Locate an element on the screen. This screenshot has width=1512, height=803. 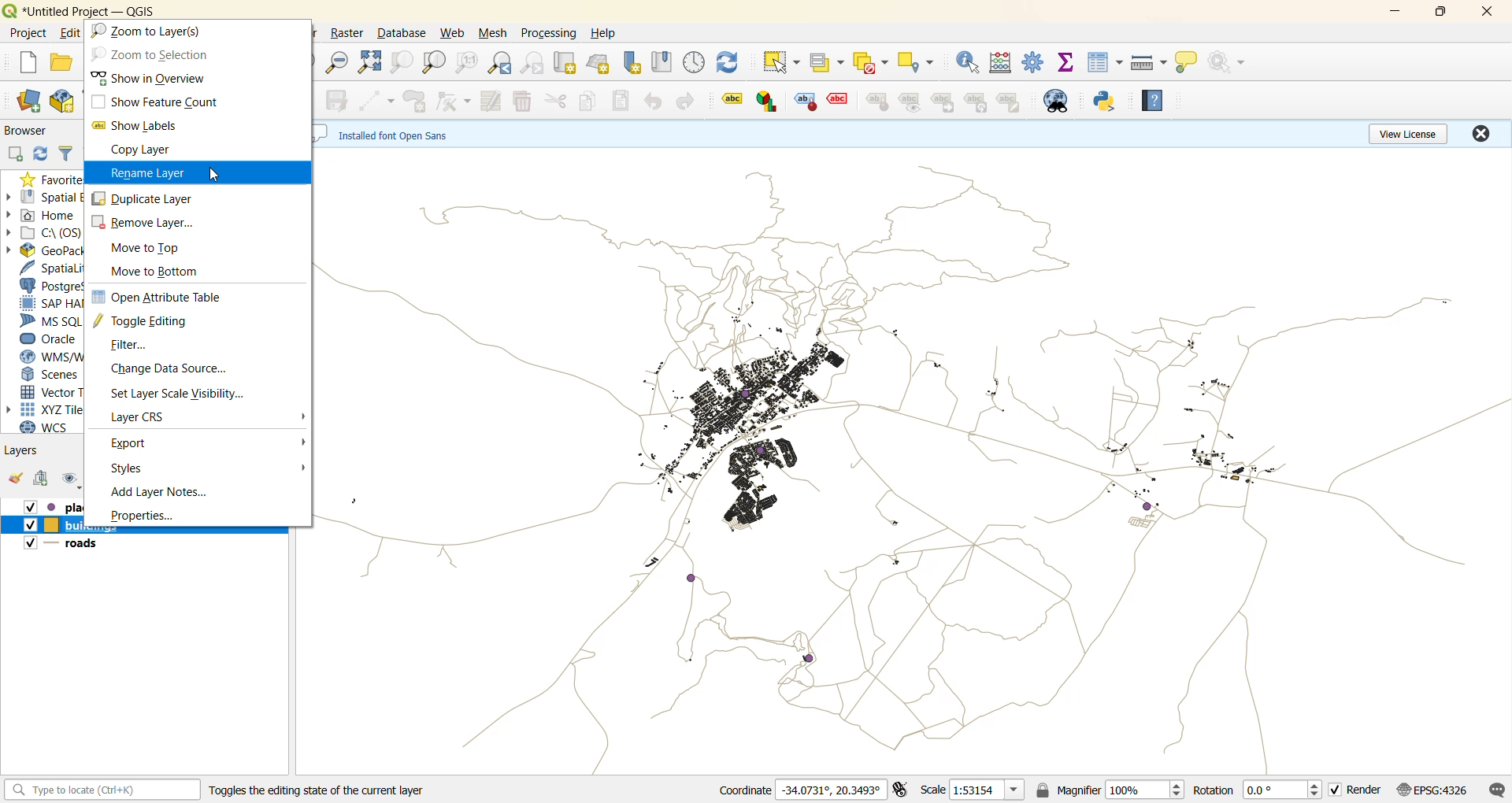
wms/wmts is located at coordinates (51, 357).